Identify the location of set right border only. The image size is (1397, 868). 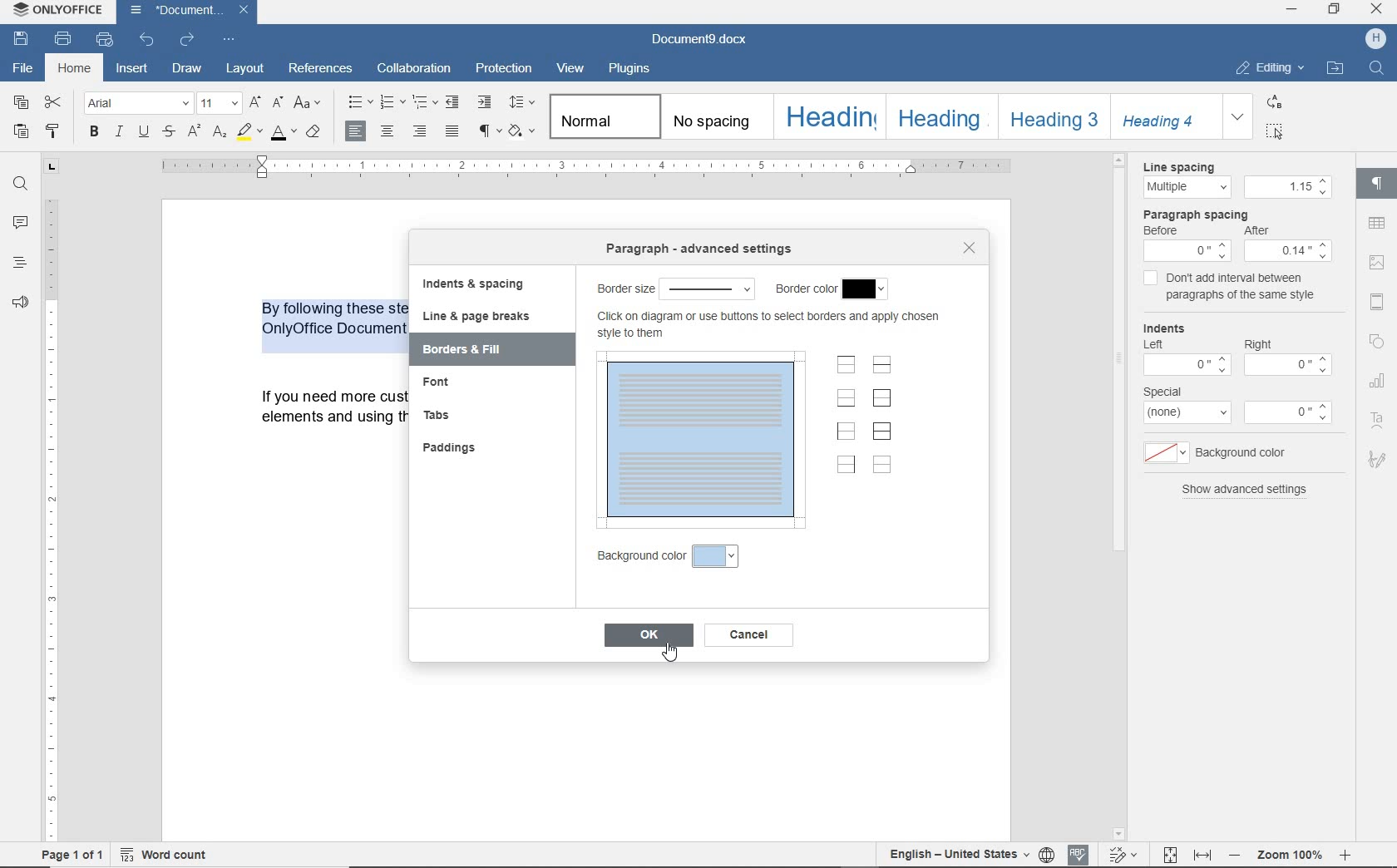
(845, 466).